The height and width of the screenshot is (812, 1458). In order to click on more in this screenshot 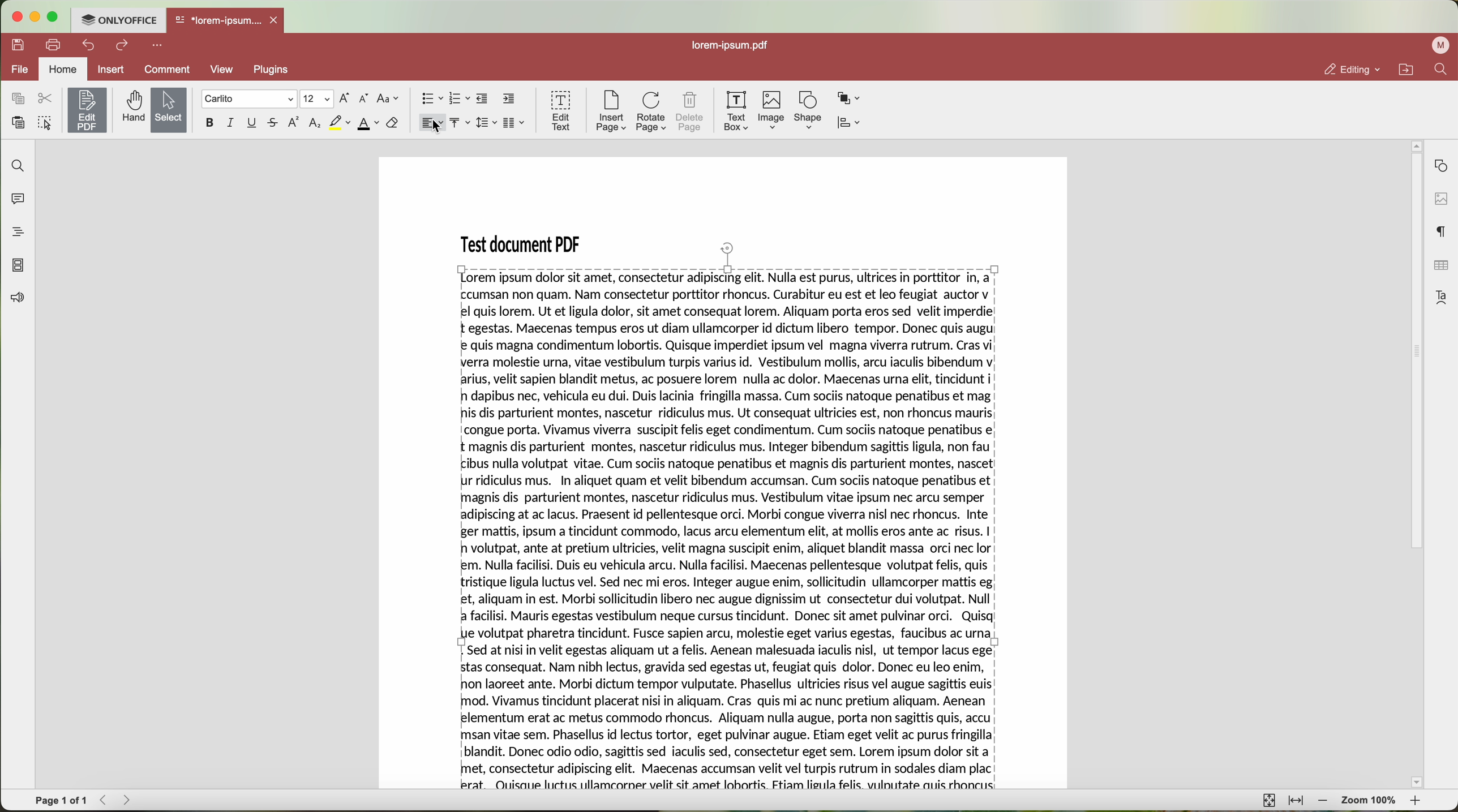, I will do `click(157, 46)`.